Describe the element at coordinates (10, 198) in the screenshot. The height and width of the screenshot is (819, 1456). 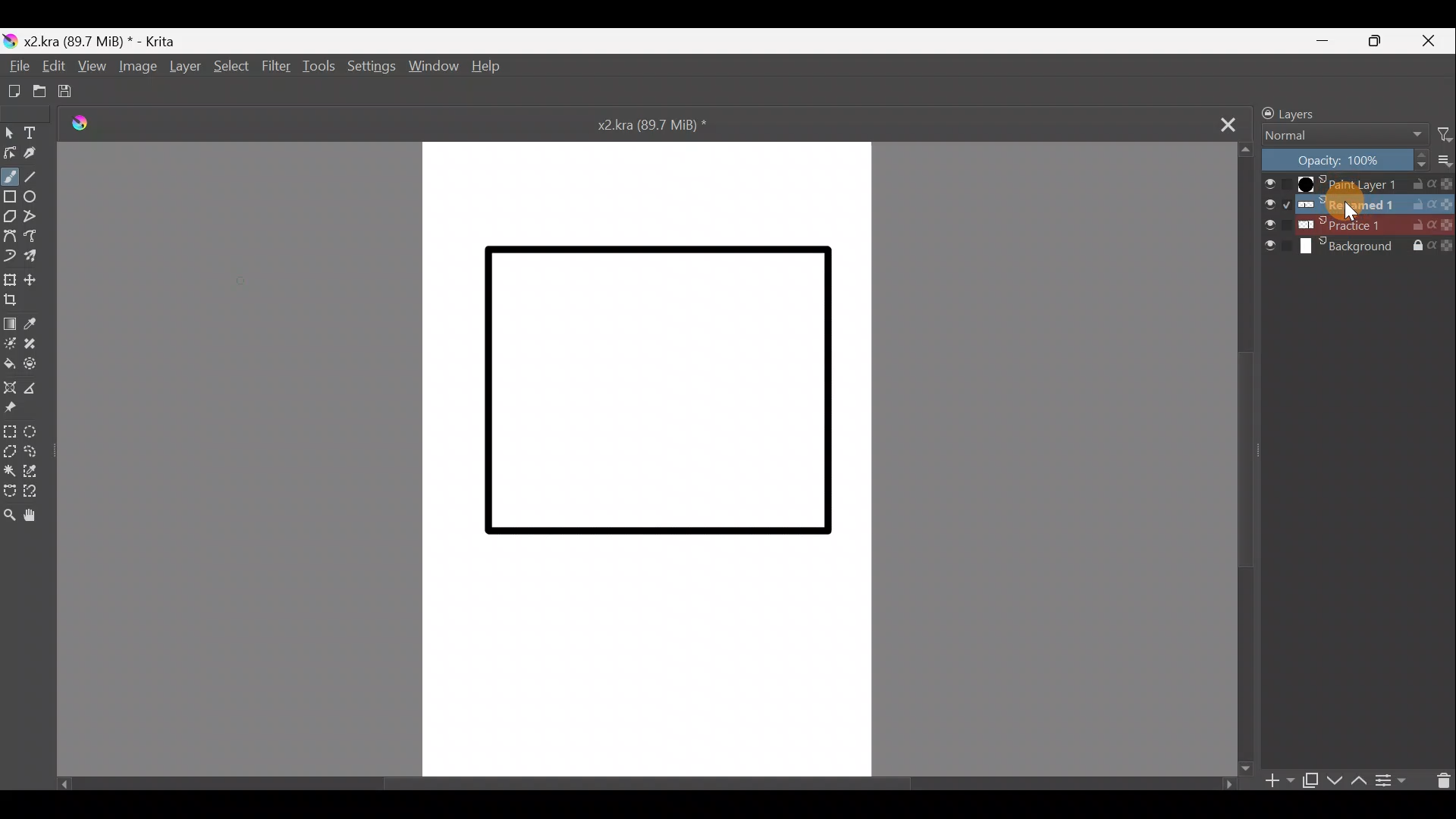
I see `Rectangle tool` at that location.